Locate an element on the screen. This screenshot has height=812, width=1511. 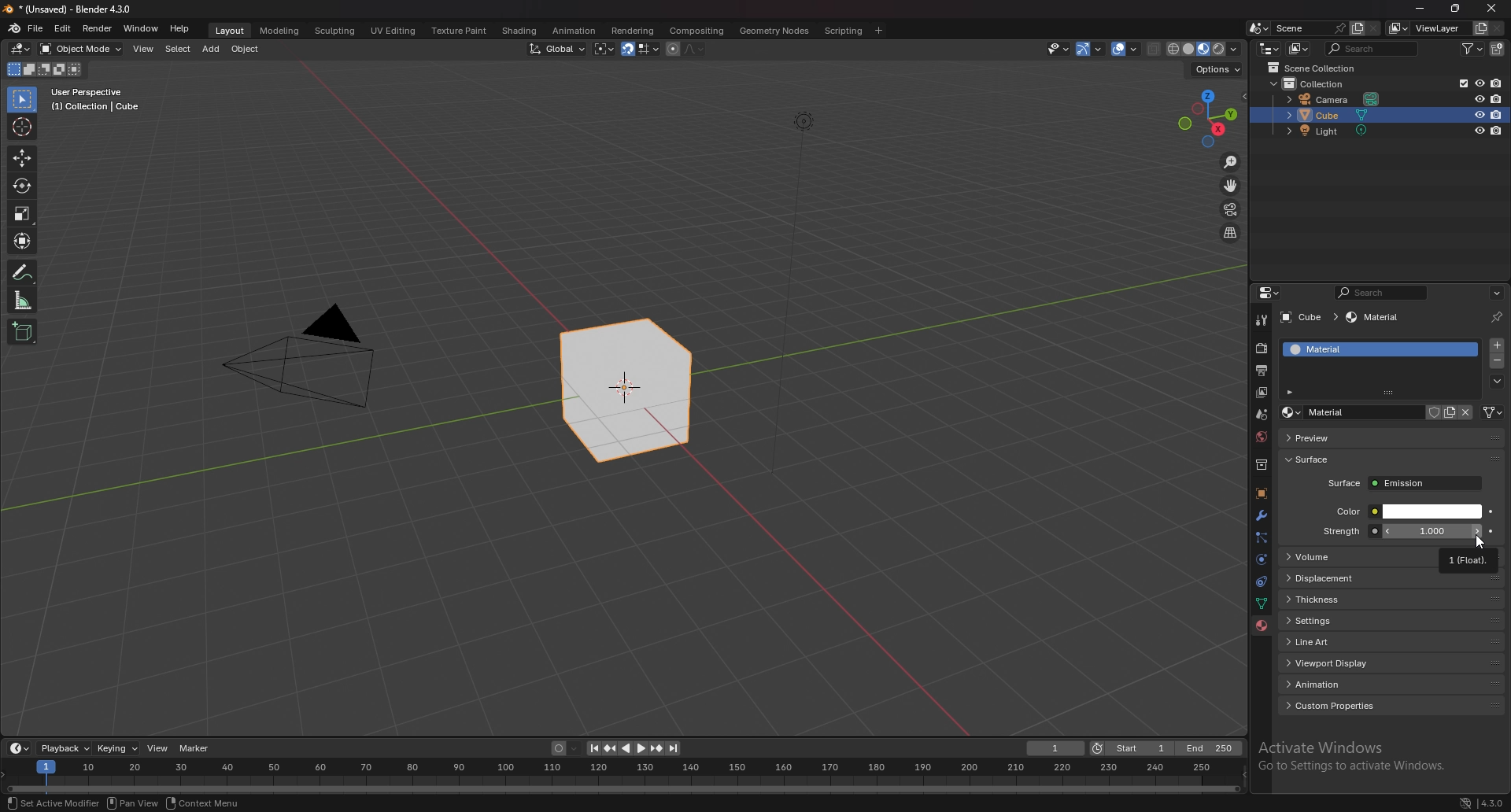
particles is located at coordinates (1262, 537).